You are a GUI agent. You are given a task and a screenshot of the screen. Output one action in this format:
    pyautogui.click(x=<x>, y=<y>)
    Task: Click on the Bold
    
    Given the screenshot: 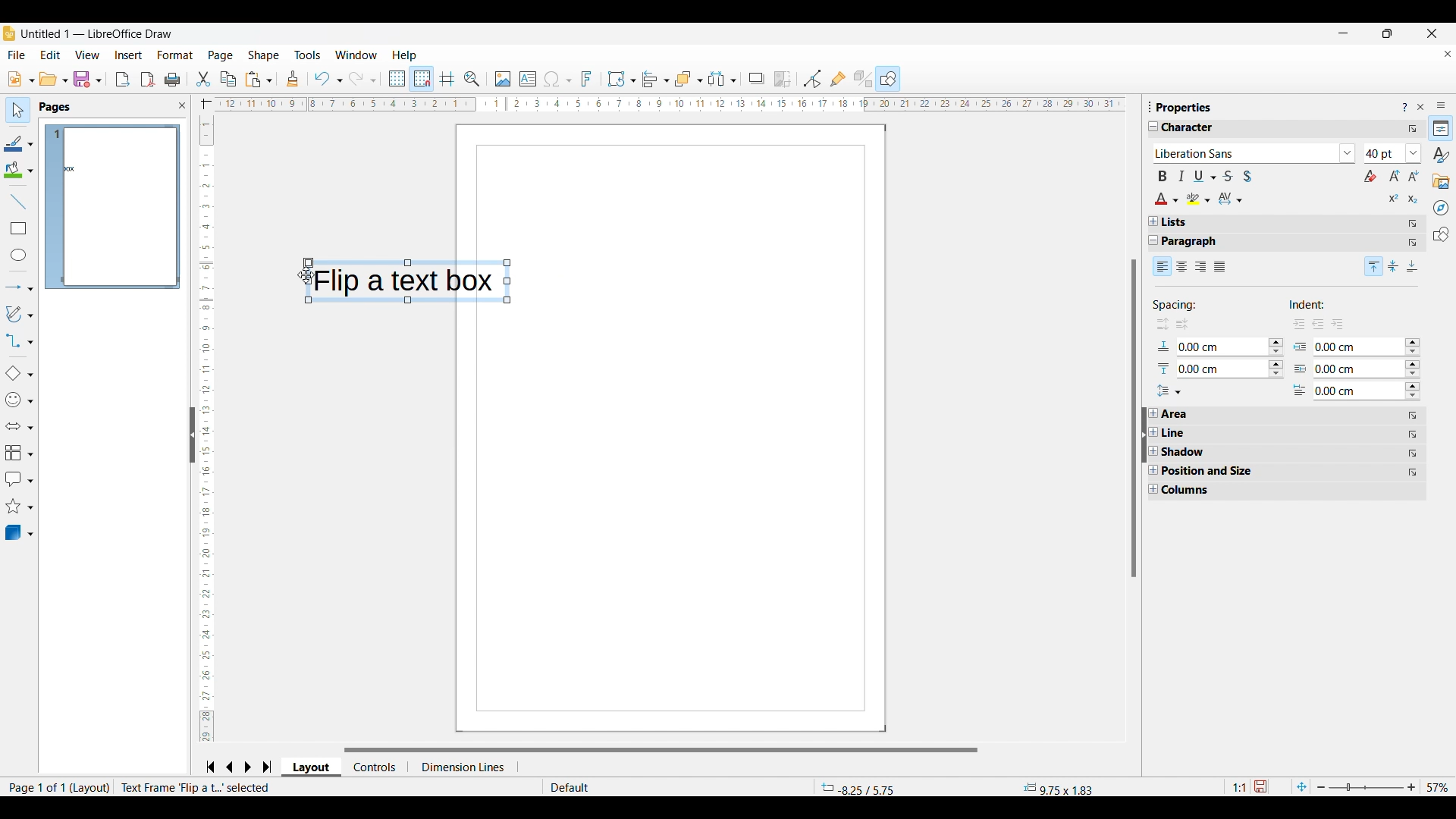 What is the action you would take?
    pyautogui.click(x=1163, y=176)
    